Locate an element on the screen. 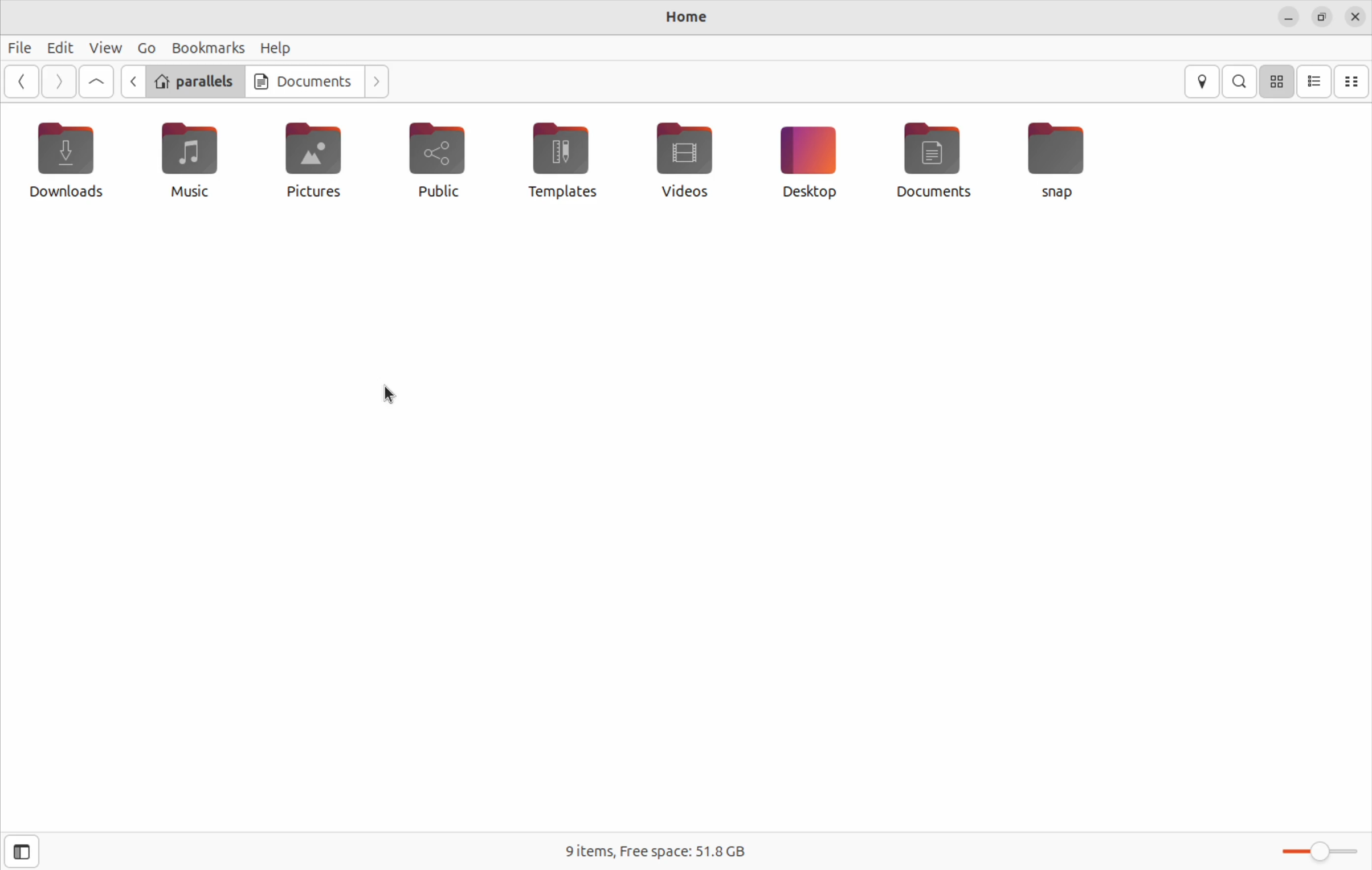  minimze is located at coordinates (1289, 17).